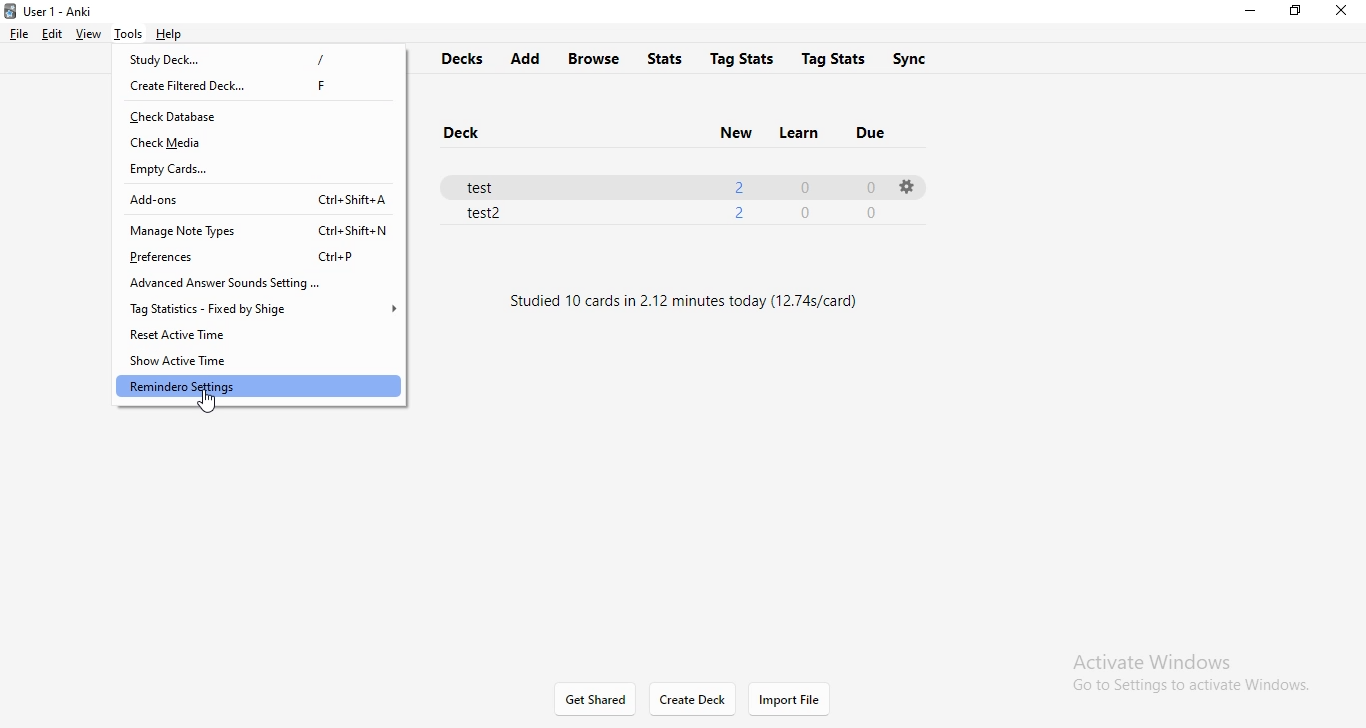  I want to click on due, so click(874, 130).